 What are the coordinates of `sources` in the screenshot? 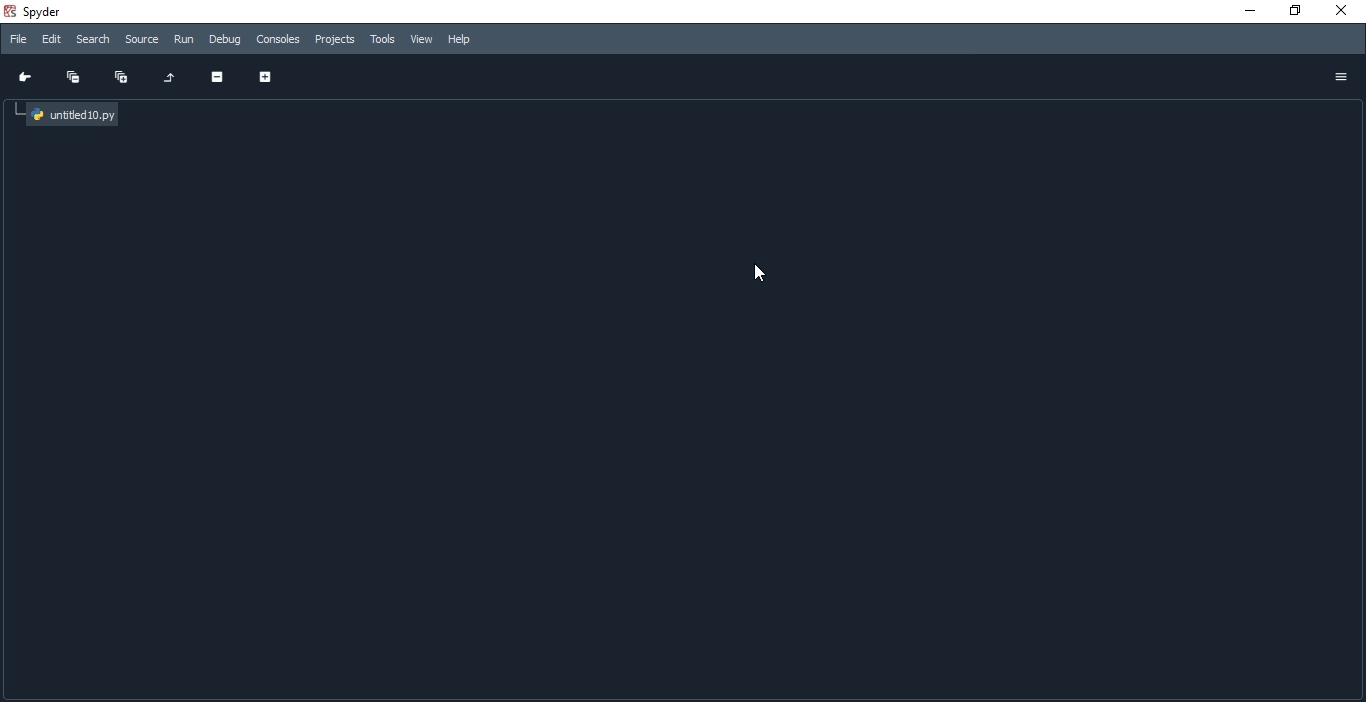 It's located at (139, 39).